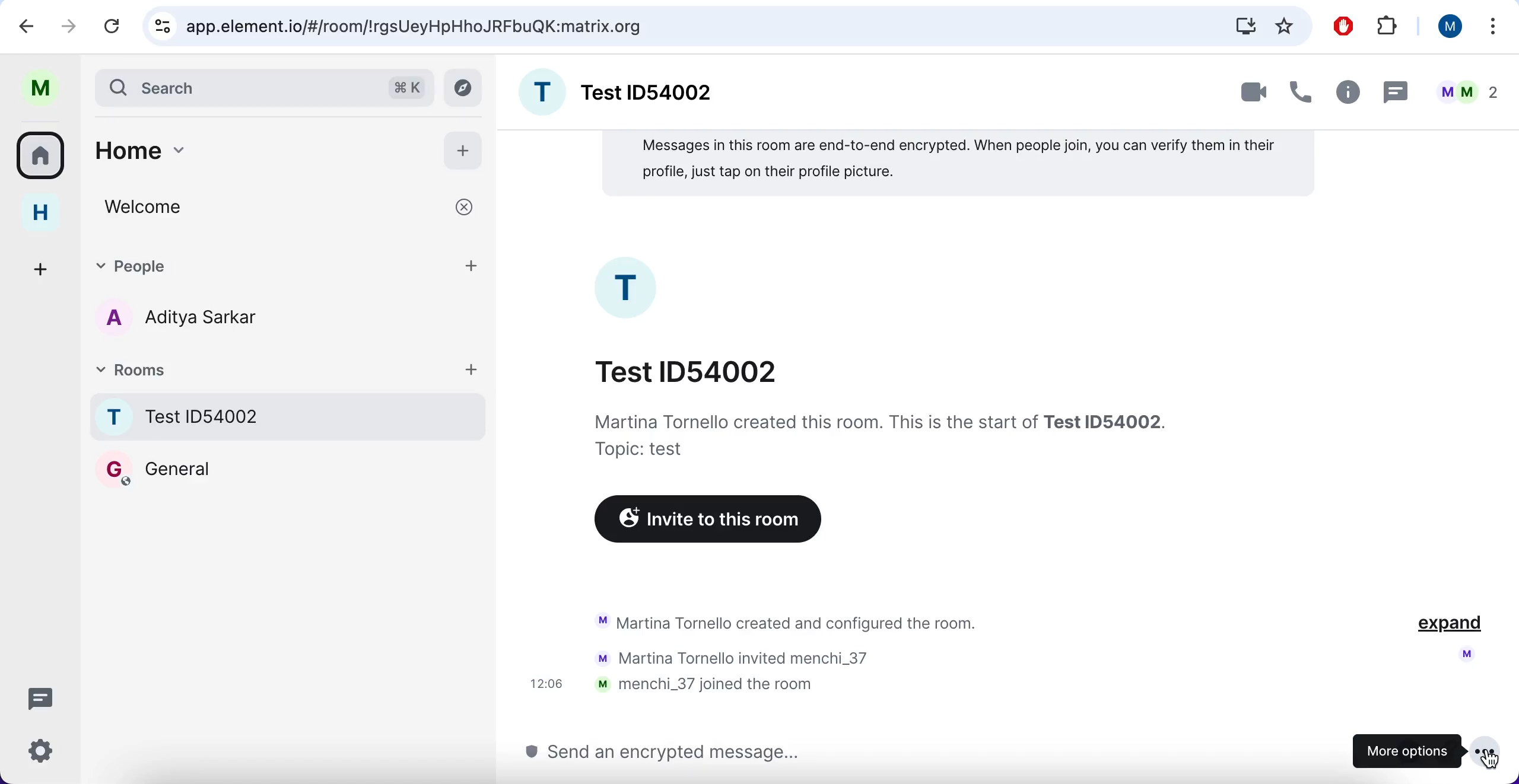  What do you see at coordinates (155, 469) in the screenshot?
I see `general` at bounding box center [155, 469].